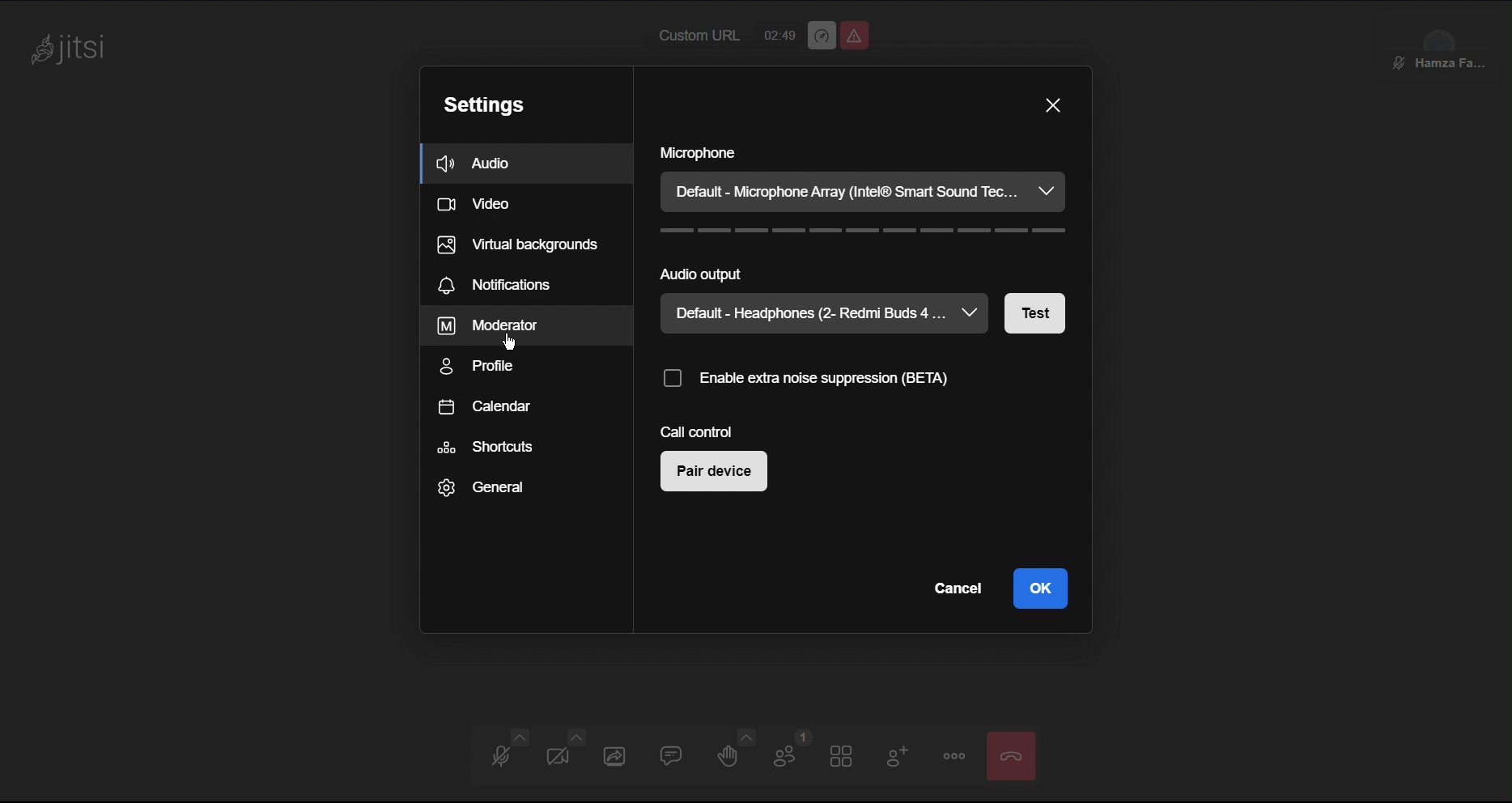 Image resolution: width=1512 pixels, height=803 pixels. Describe the element at coordinates (485, 407) in the screenshot. I see `Calendar` at that location.